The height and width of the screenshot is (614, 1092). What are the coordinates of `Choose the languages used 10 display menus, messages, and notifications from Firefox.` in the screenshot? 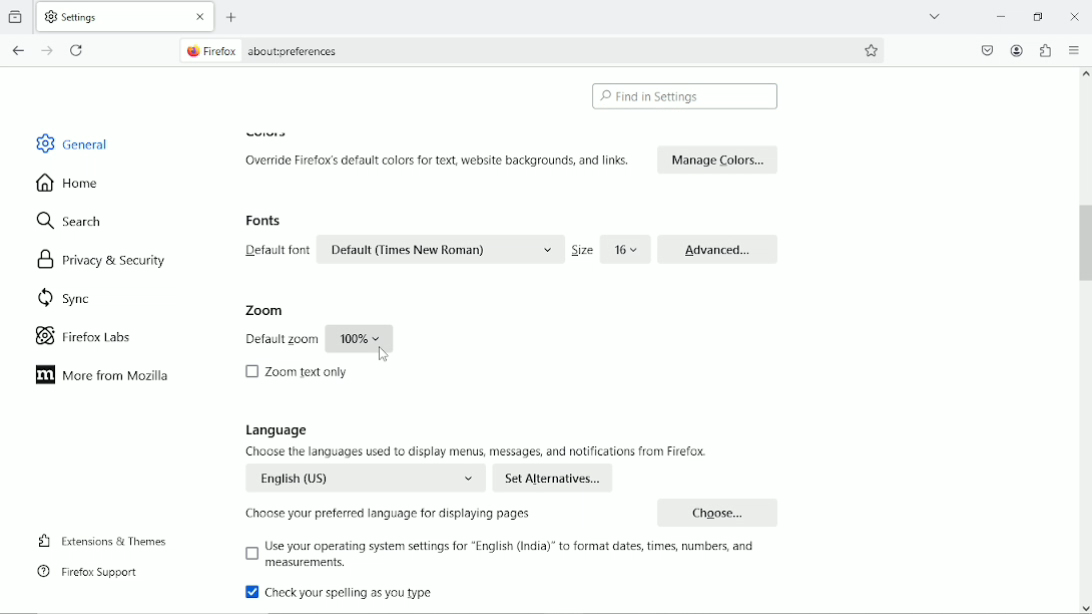 It's located at (479, 451).